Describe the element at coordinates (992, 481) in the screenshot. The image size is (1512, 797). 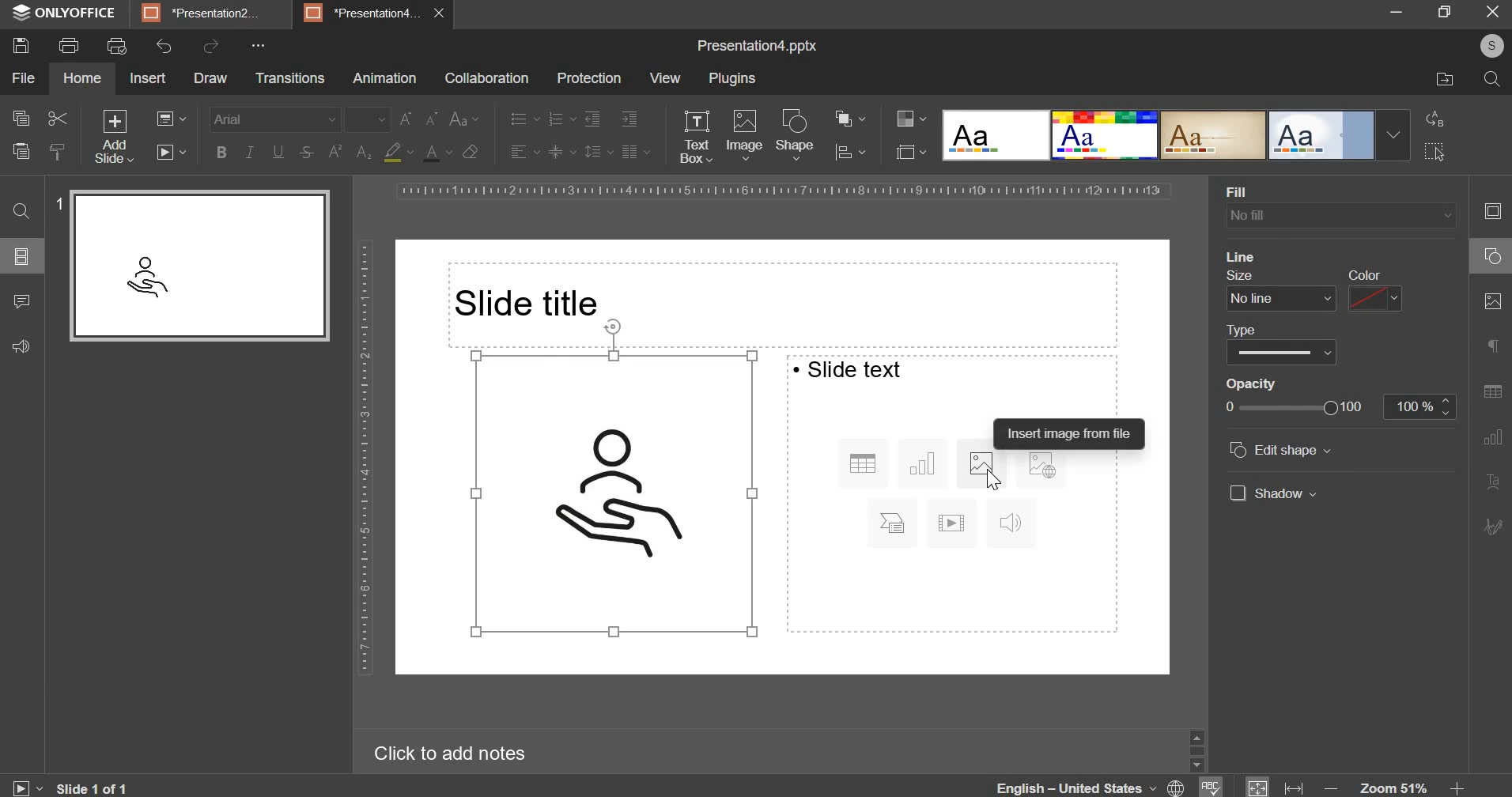
I see `cursor` at that location.